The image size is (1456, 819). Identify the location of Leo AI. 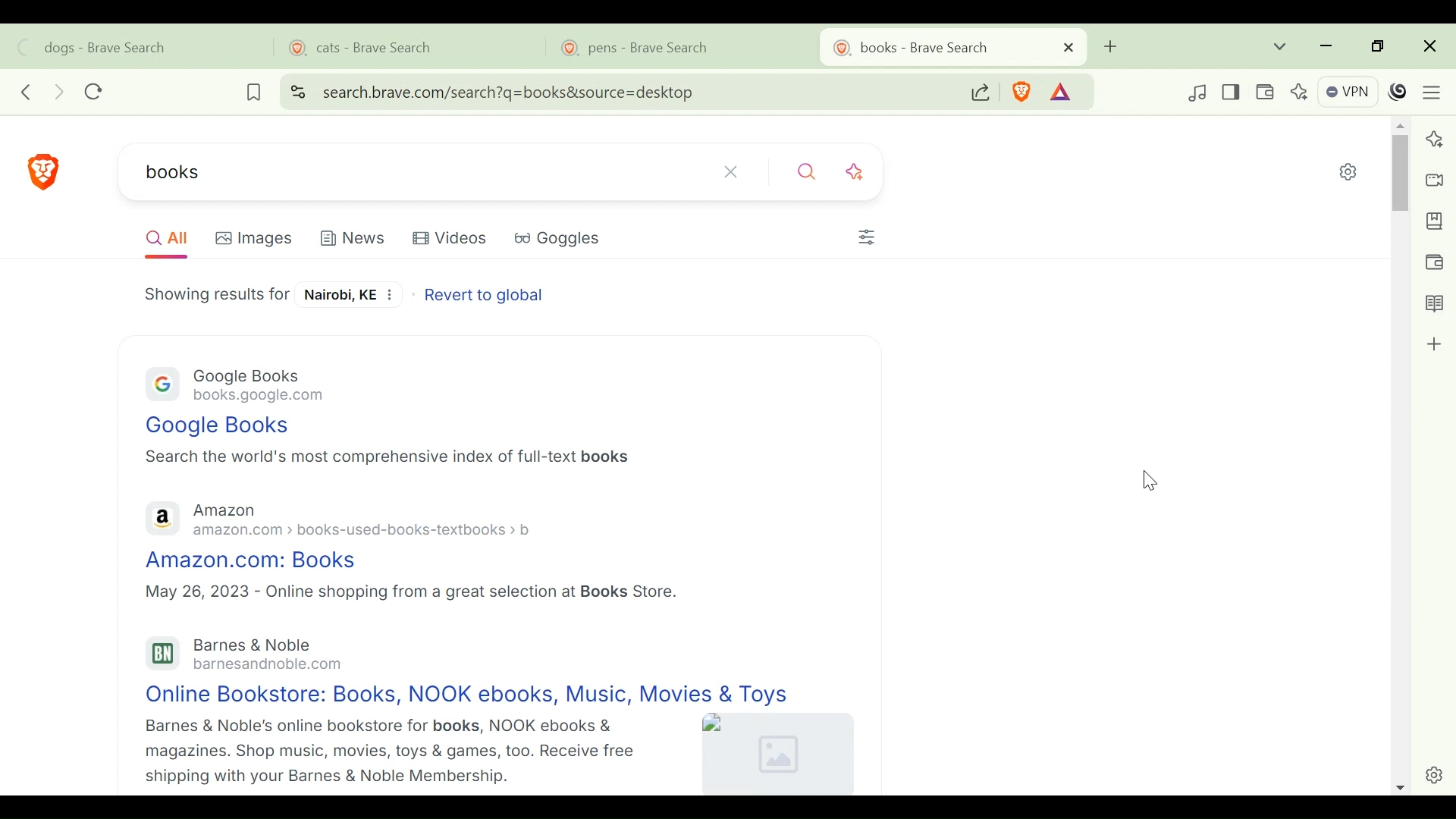
(1436, 140).